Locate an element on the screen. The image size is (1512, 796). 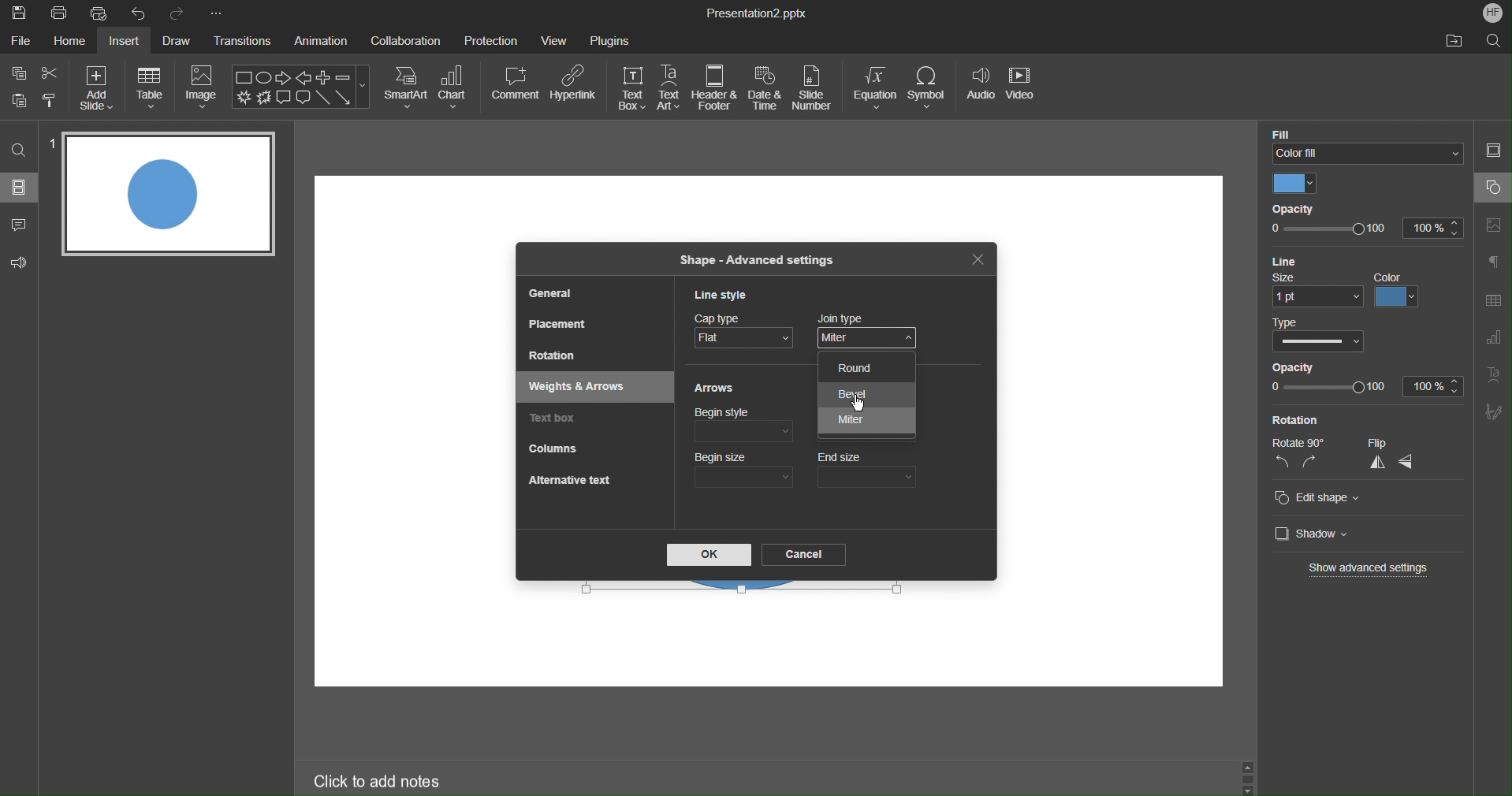
Flip is located at coordinates (1386, 443).